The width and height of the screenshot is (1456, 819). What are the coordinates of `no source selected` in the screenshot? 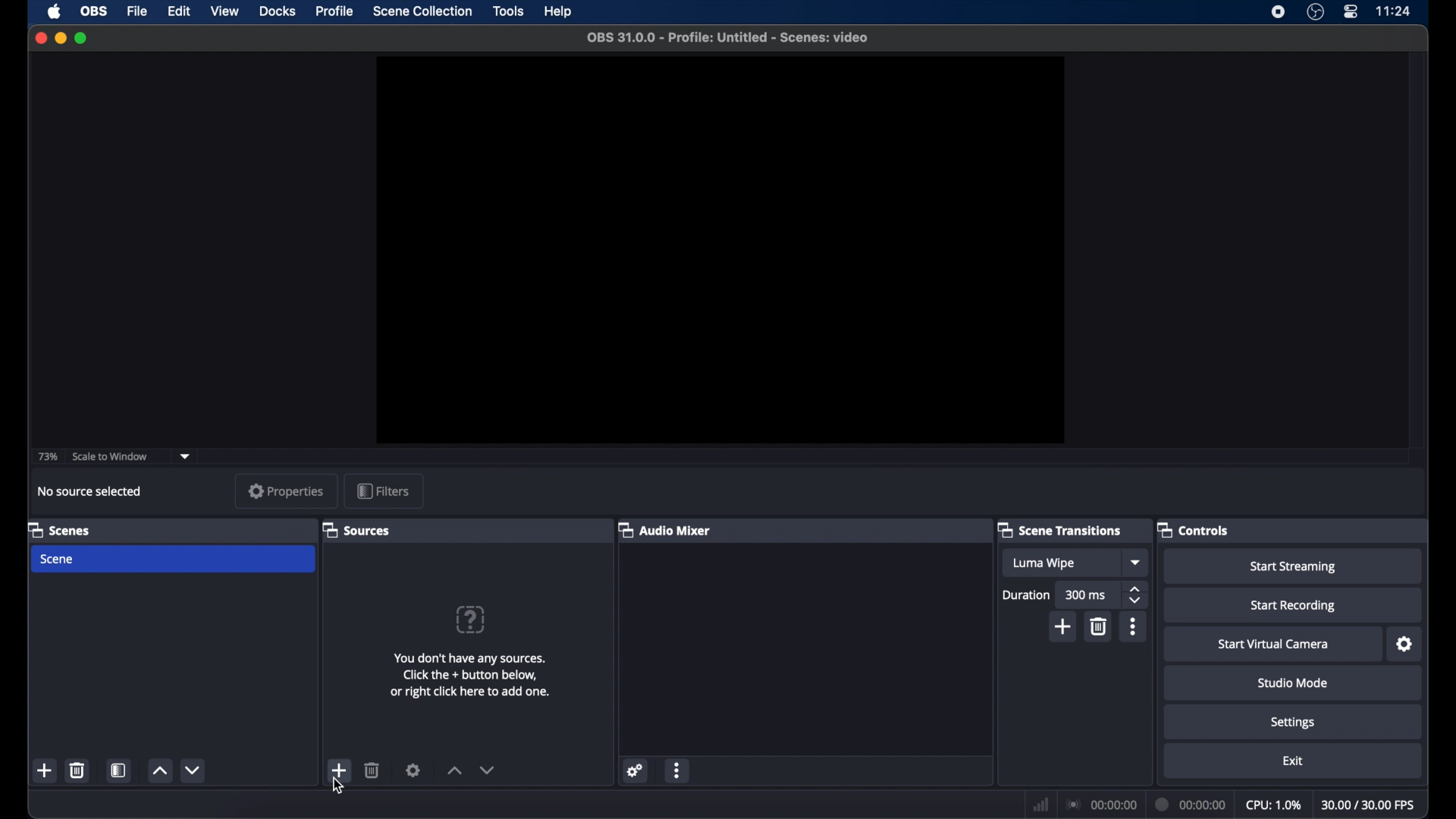 It's located at (89, 491).